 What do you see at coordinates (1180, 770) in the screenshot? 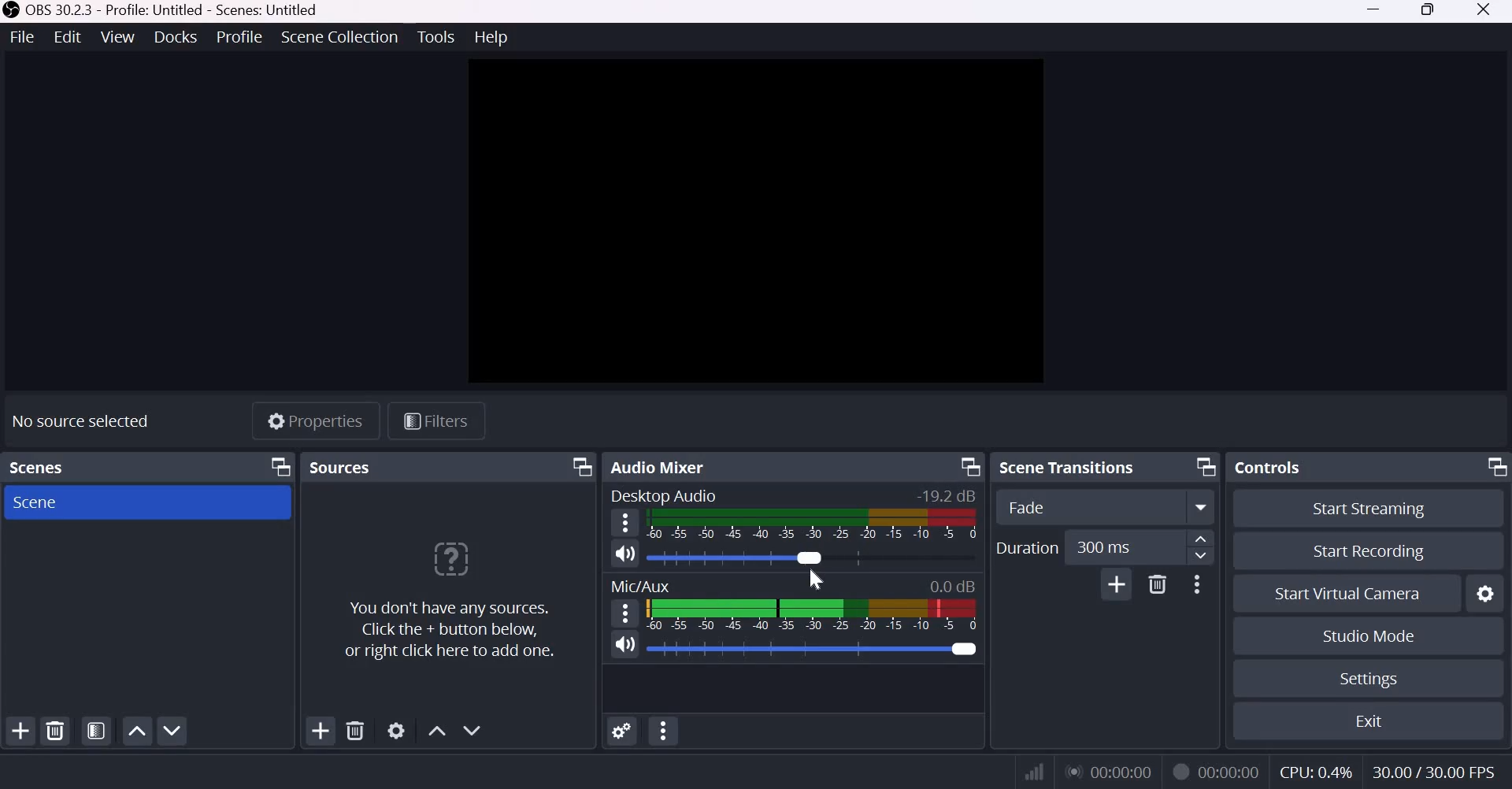
I see `Recording Status Icon` at bounding box center [1180, 770].